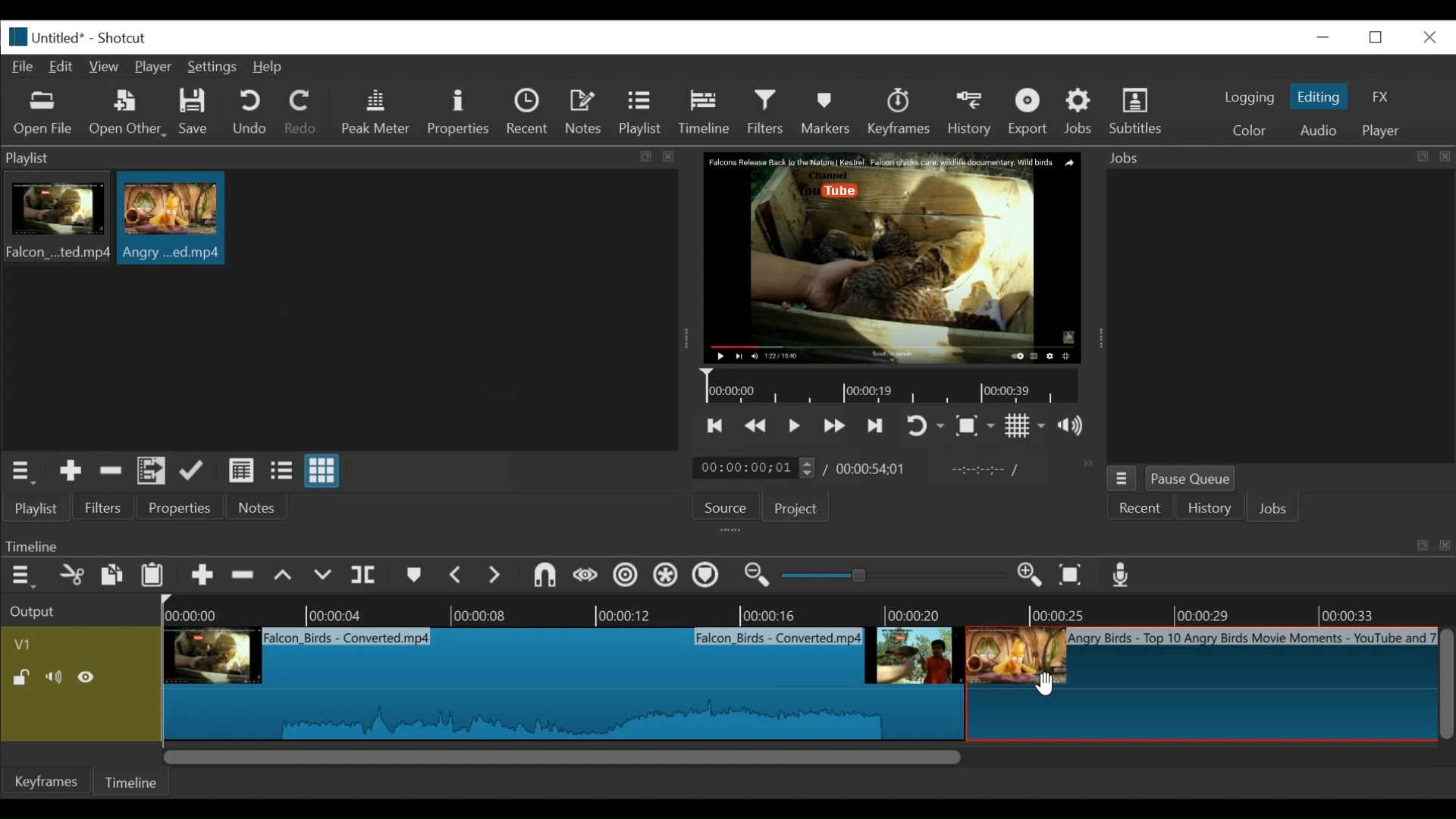 Image resolution: width=1456 pixels, height=819 pixels. Describe the element at coordinates (129, 114) in the screenshot. I see `Open Other` at that location.